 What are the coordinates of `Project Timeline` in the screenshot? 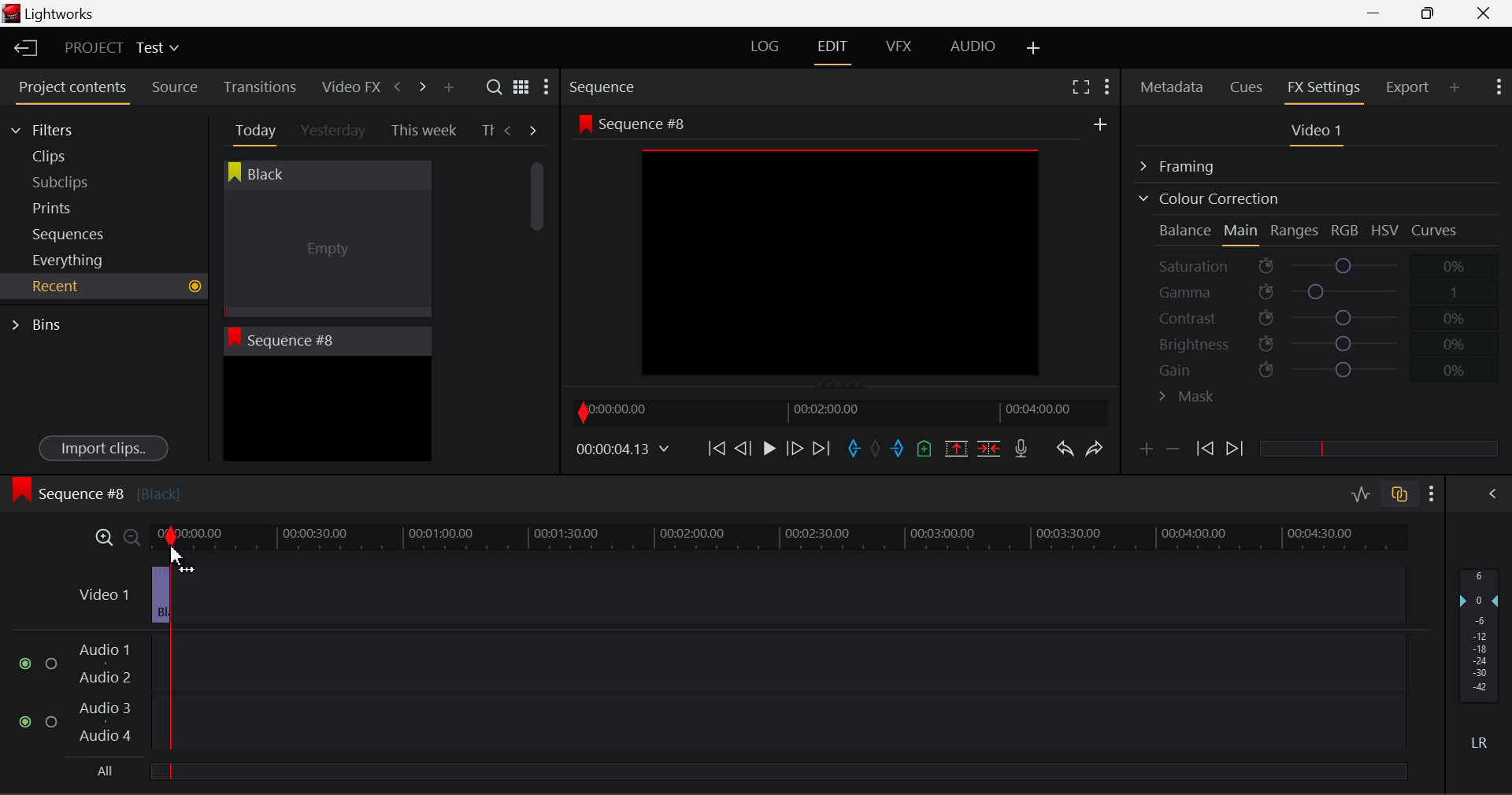 It's located at (780, 538).